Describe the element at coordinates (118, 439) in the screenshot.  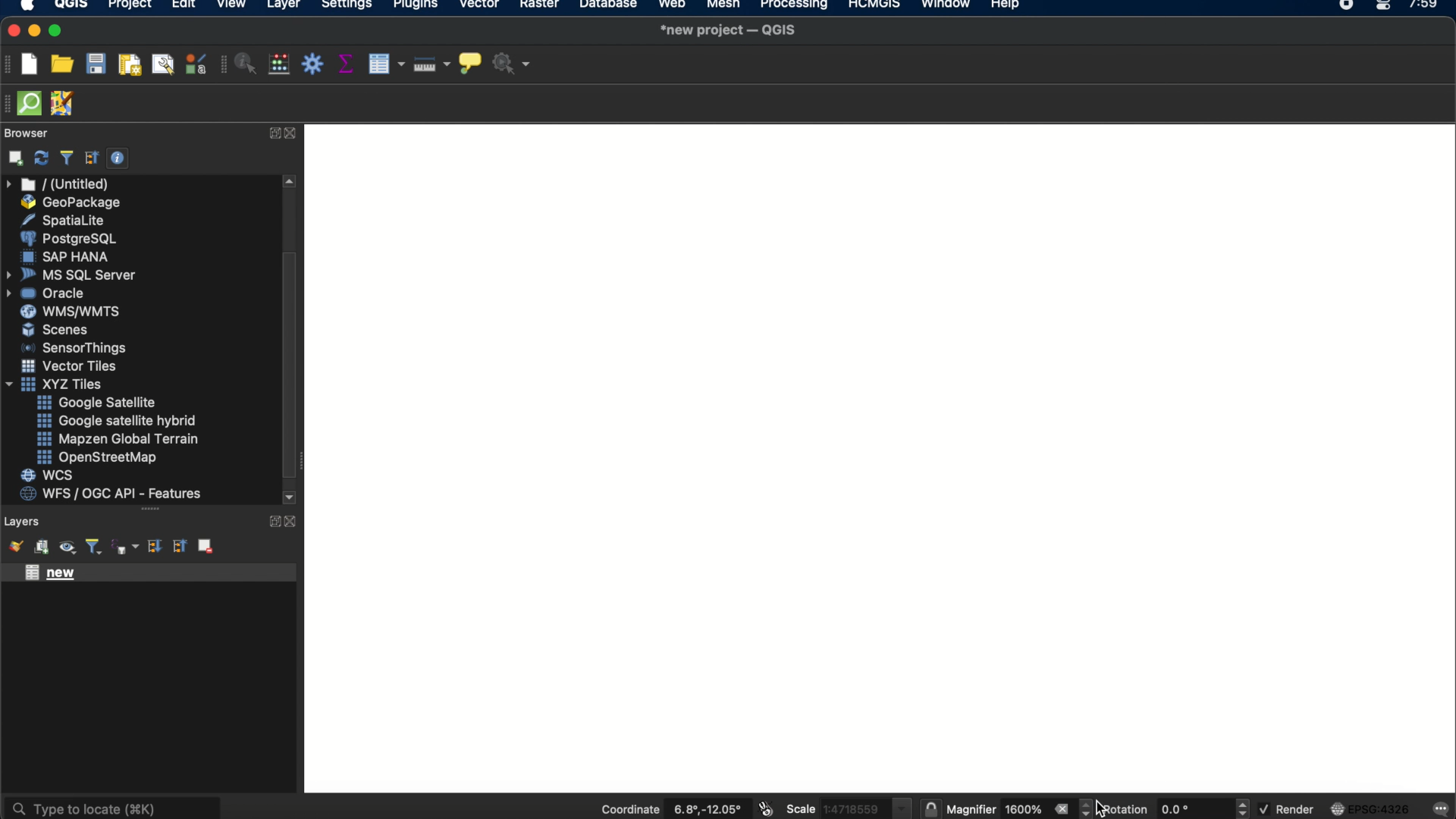
I see `mapzen global terrain` at that location.